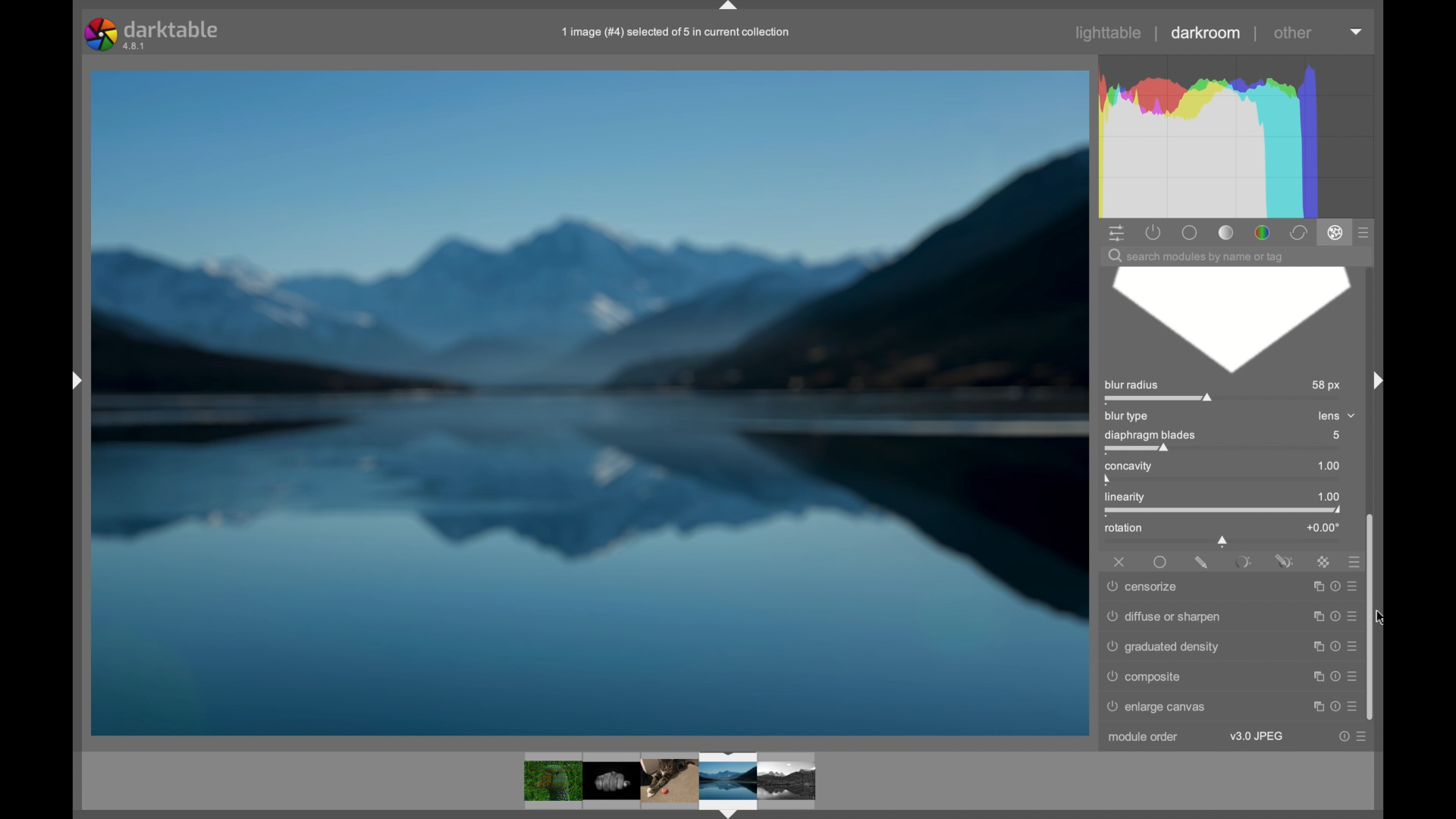  Describe the element at coordinates (1331, 415) in the screenshot. I see `lens` at that location.